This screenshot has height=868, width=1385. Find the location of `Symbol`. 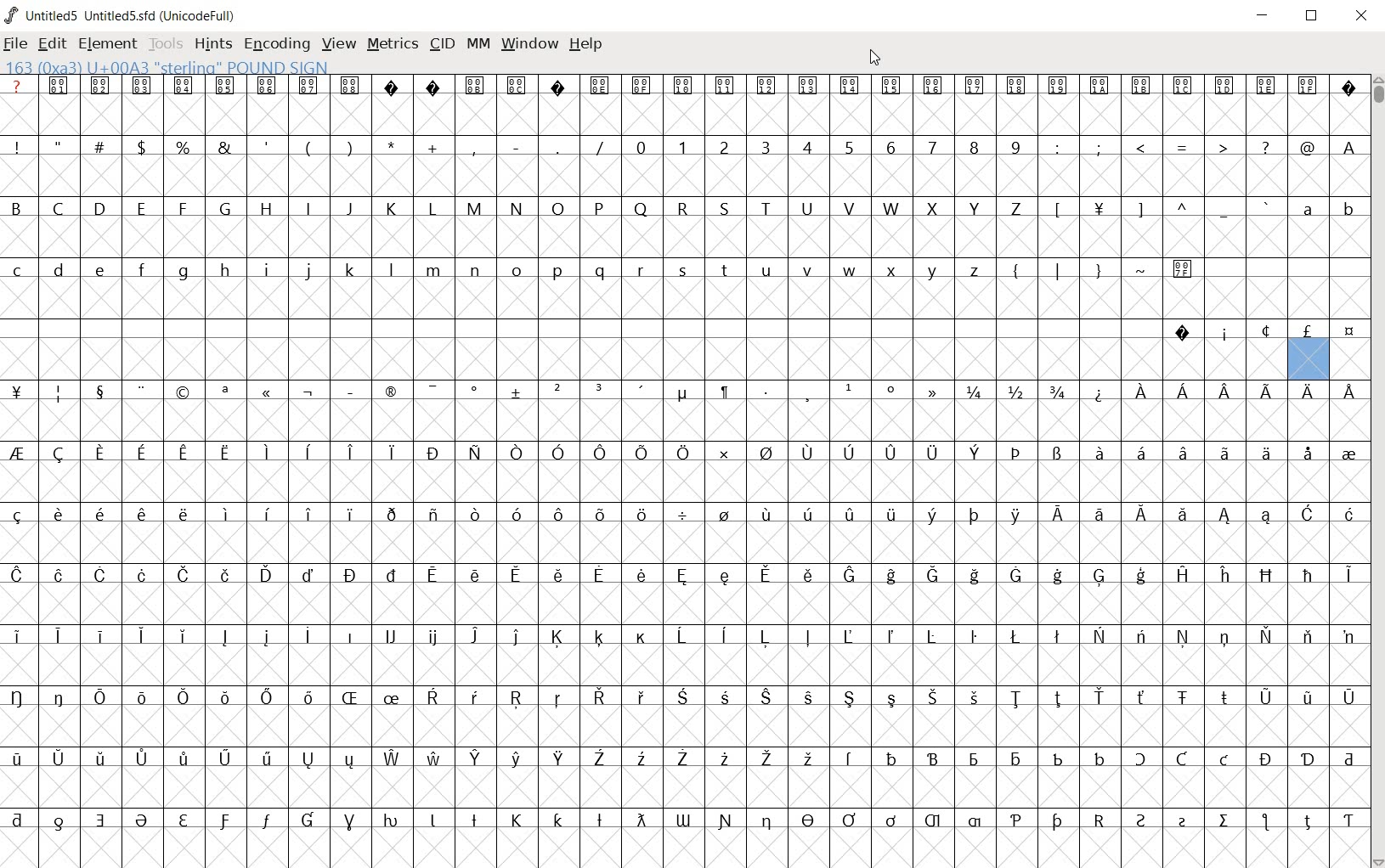

Symbol is located at coordinates (931, 577).